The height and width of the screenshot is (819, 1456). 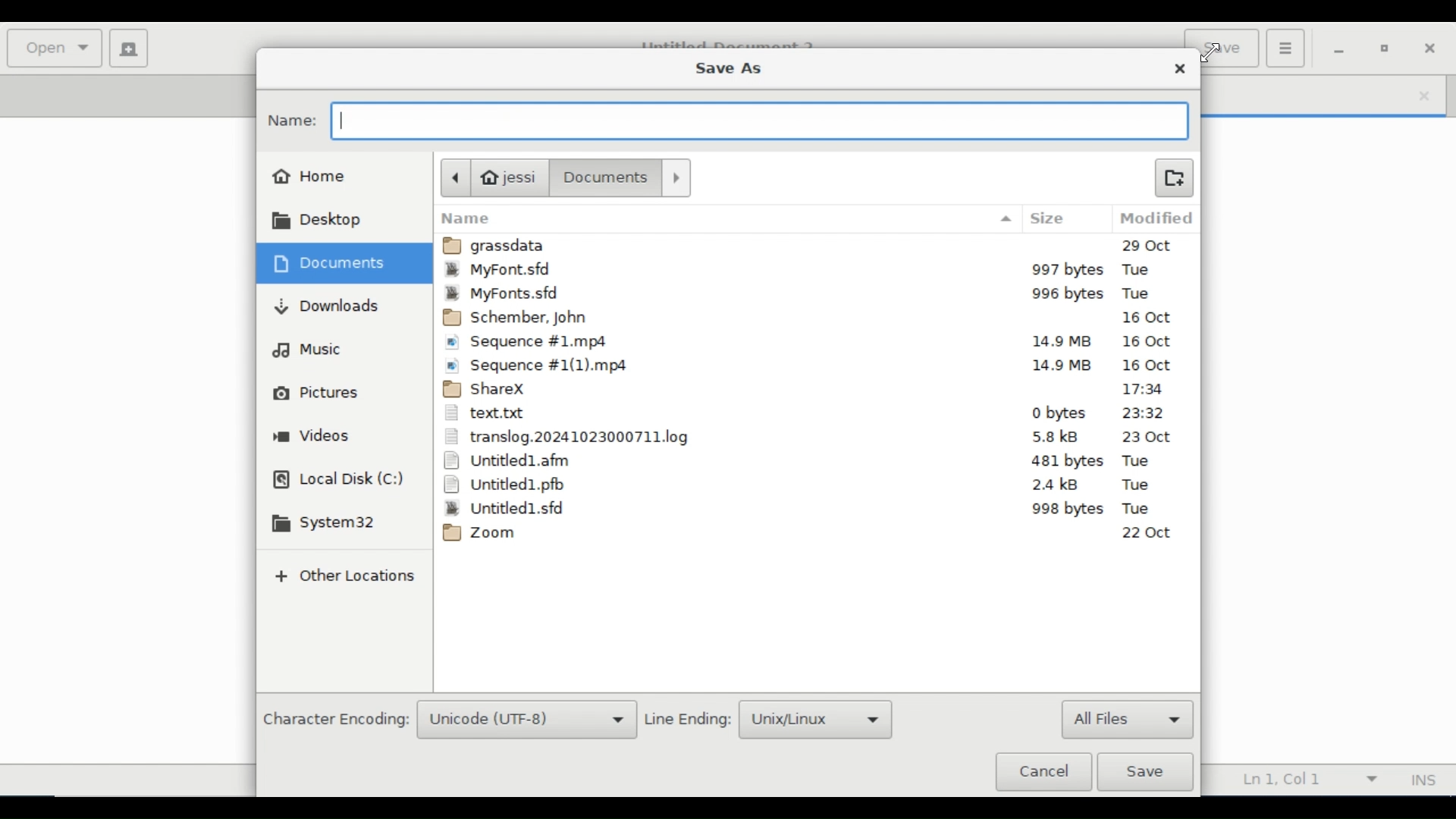 What do you see at coordinates (1059, 218) in the screenshot?
I see `Size` at bounding box center [1059, 218].